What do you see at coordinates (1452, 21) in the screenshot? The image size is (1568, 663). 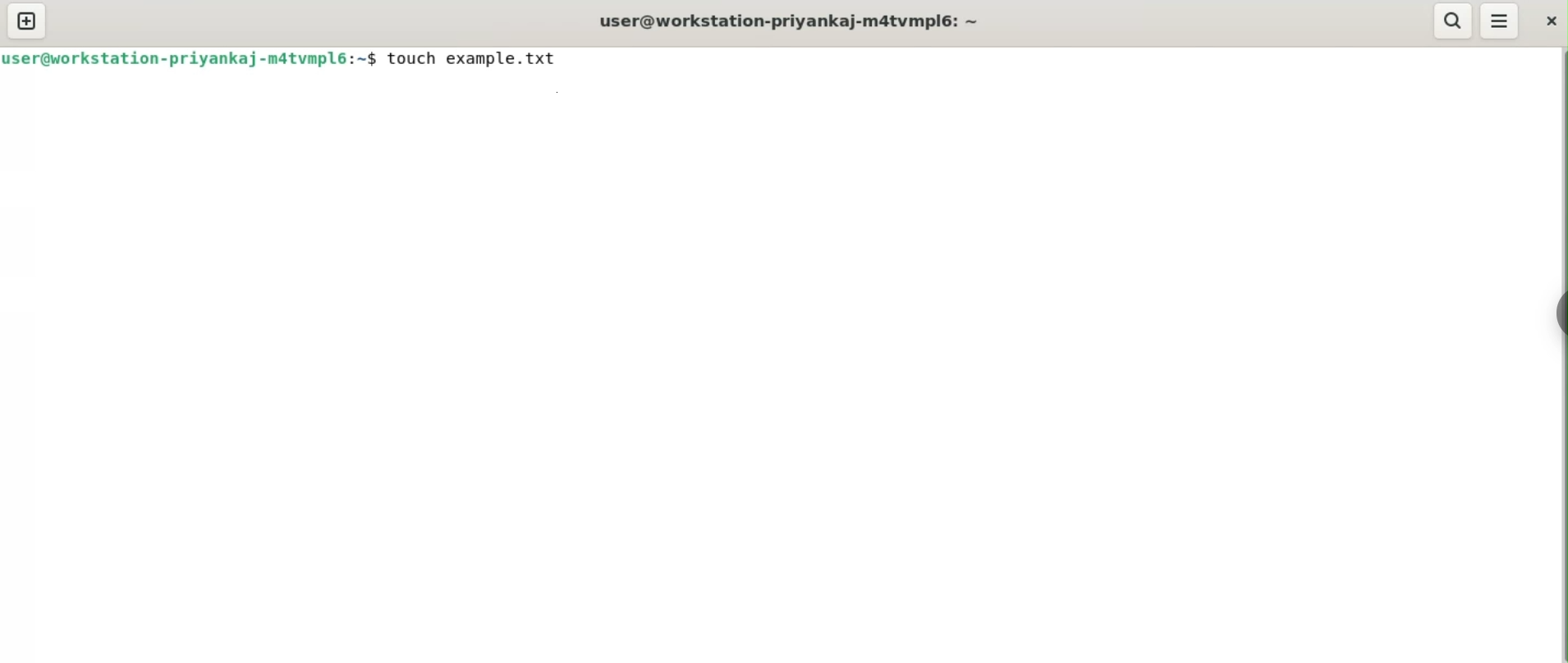 I see `search` at bounding box center [1452, 21].